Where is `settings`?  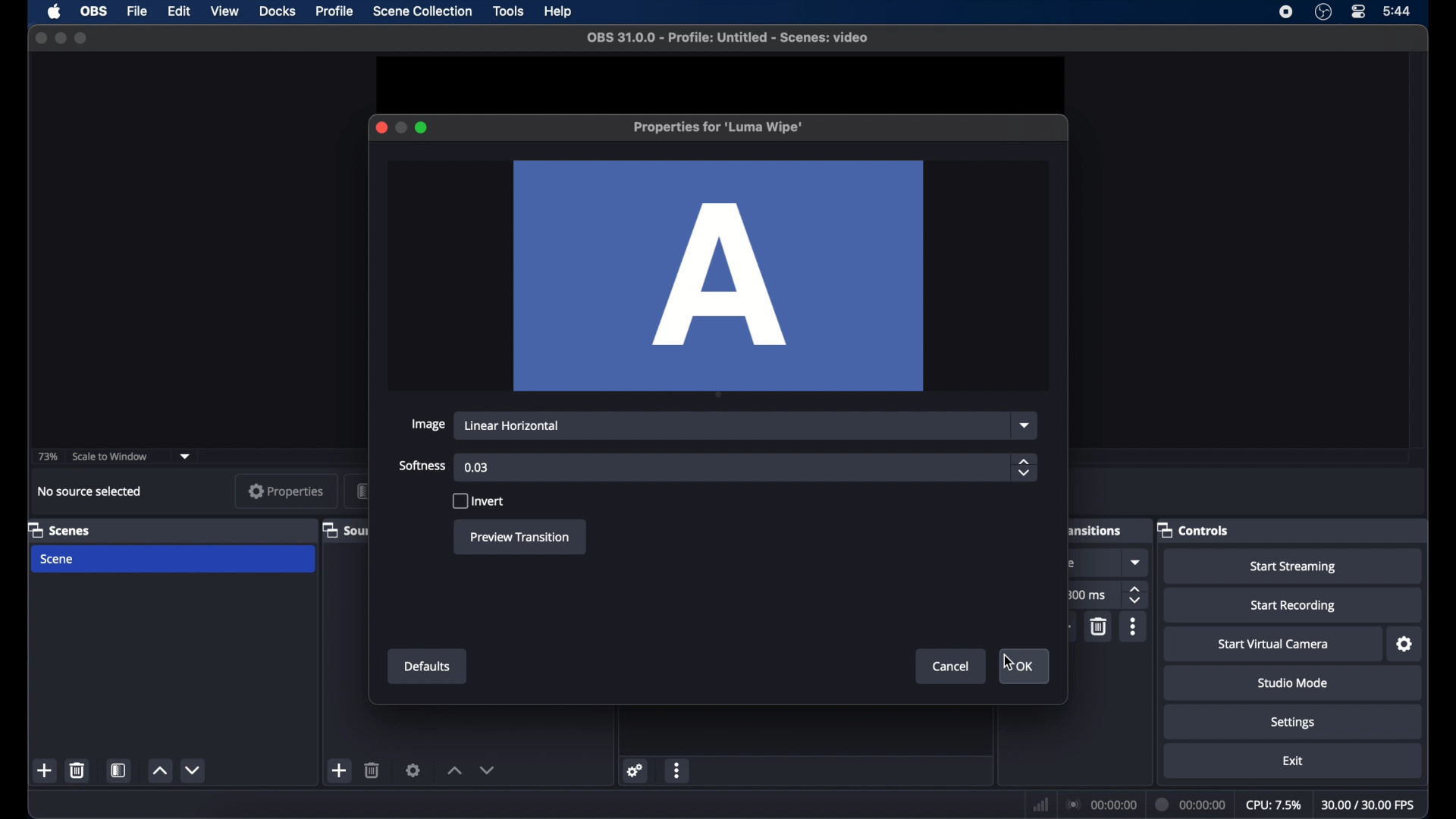 settings is located at coordinates (1404, 645).